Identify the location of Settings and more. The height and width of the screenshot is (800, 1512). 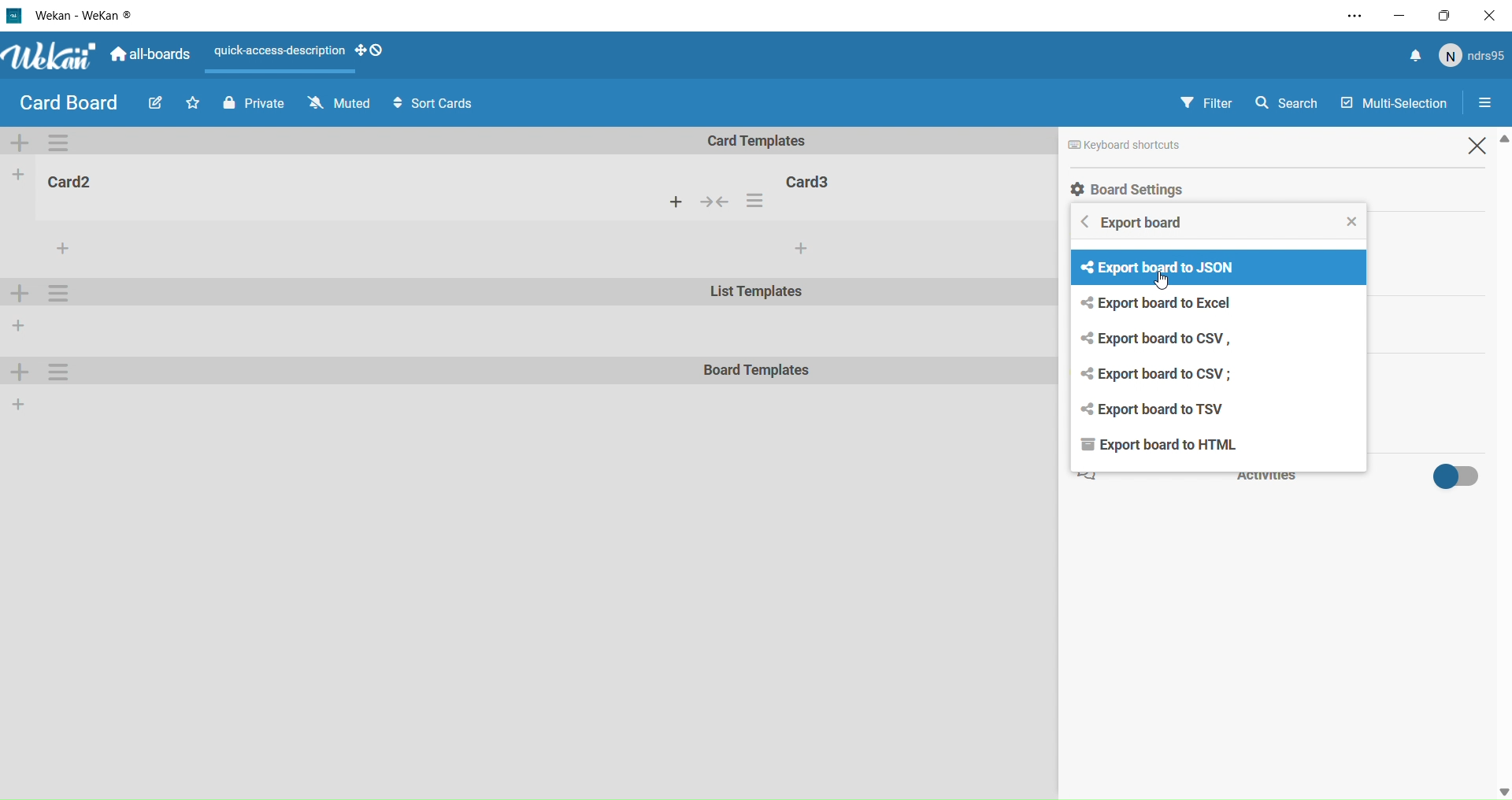
(1348, 17).